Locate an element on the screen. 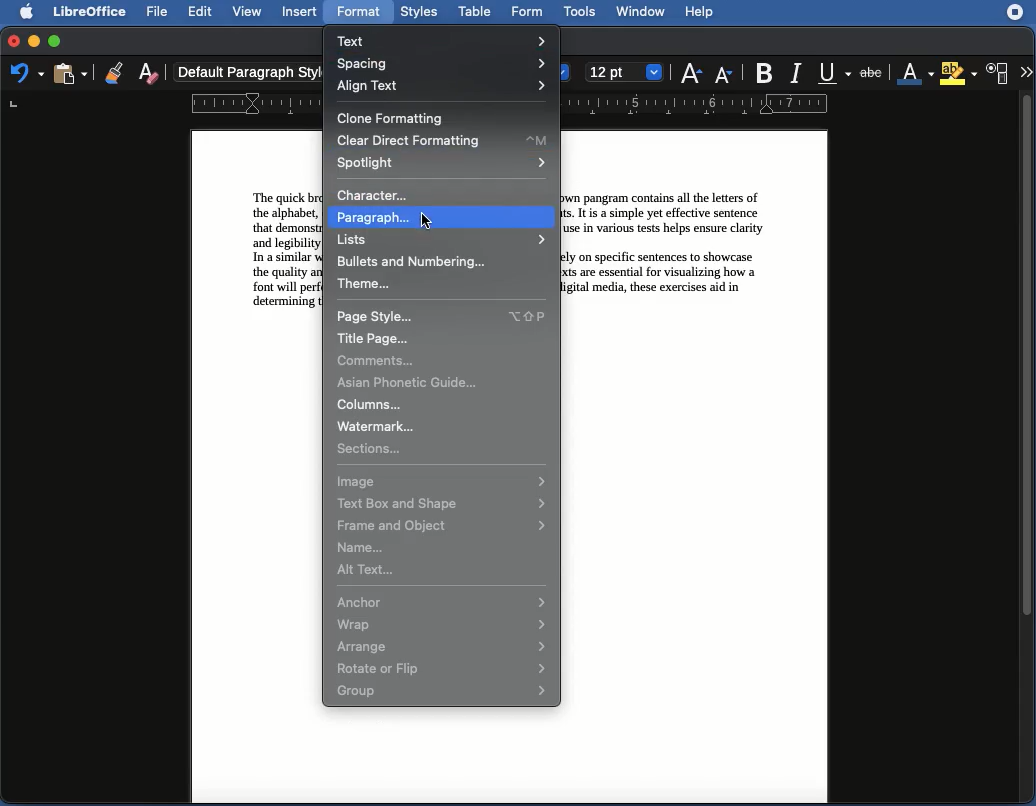  Text box and shape is located at coordinates (444, 505).